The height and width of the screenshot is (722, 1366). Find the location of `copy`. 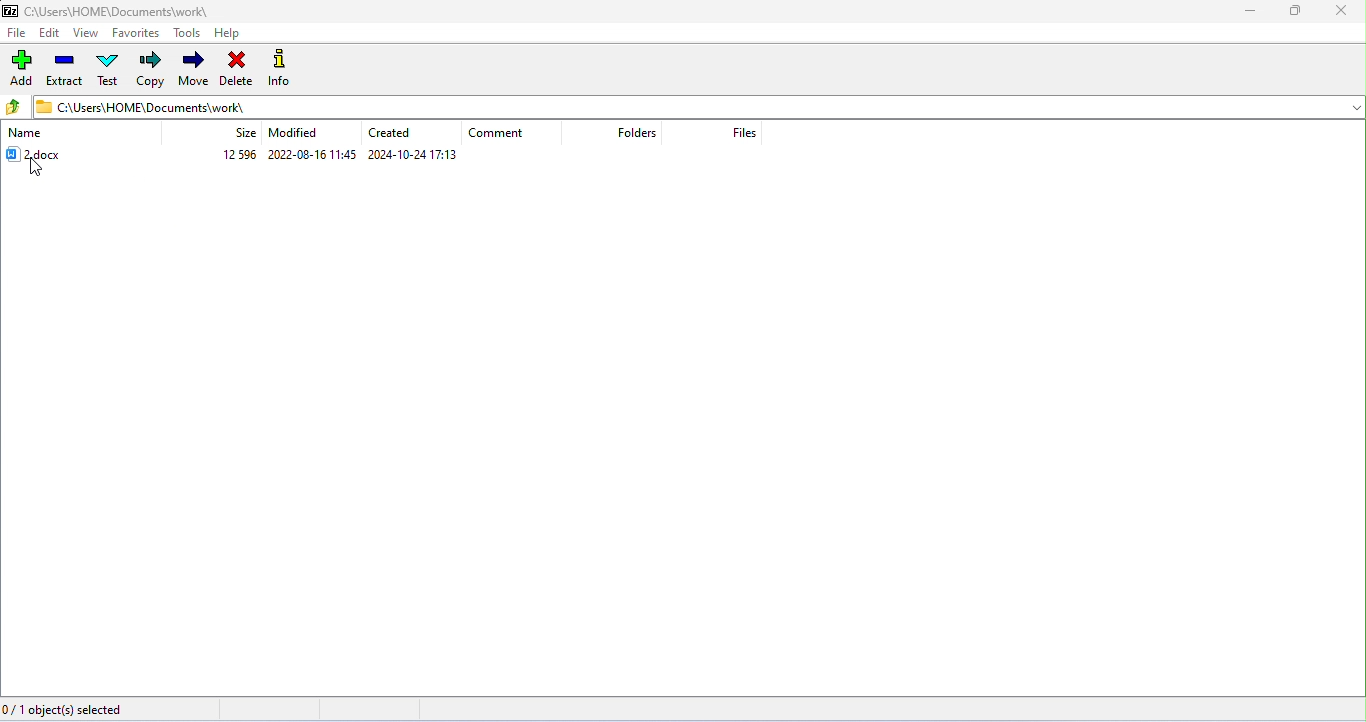

copy is located at coordinates (153, 70).